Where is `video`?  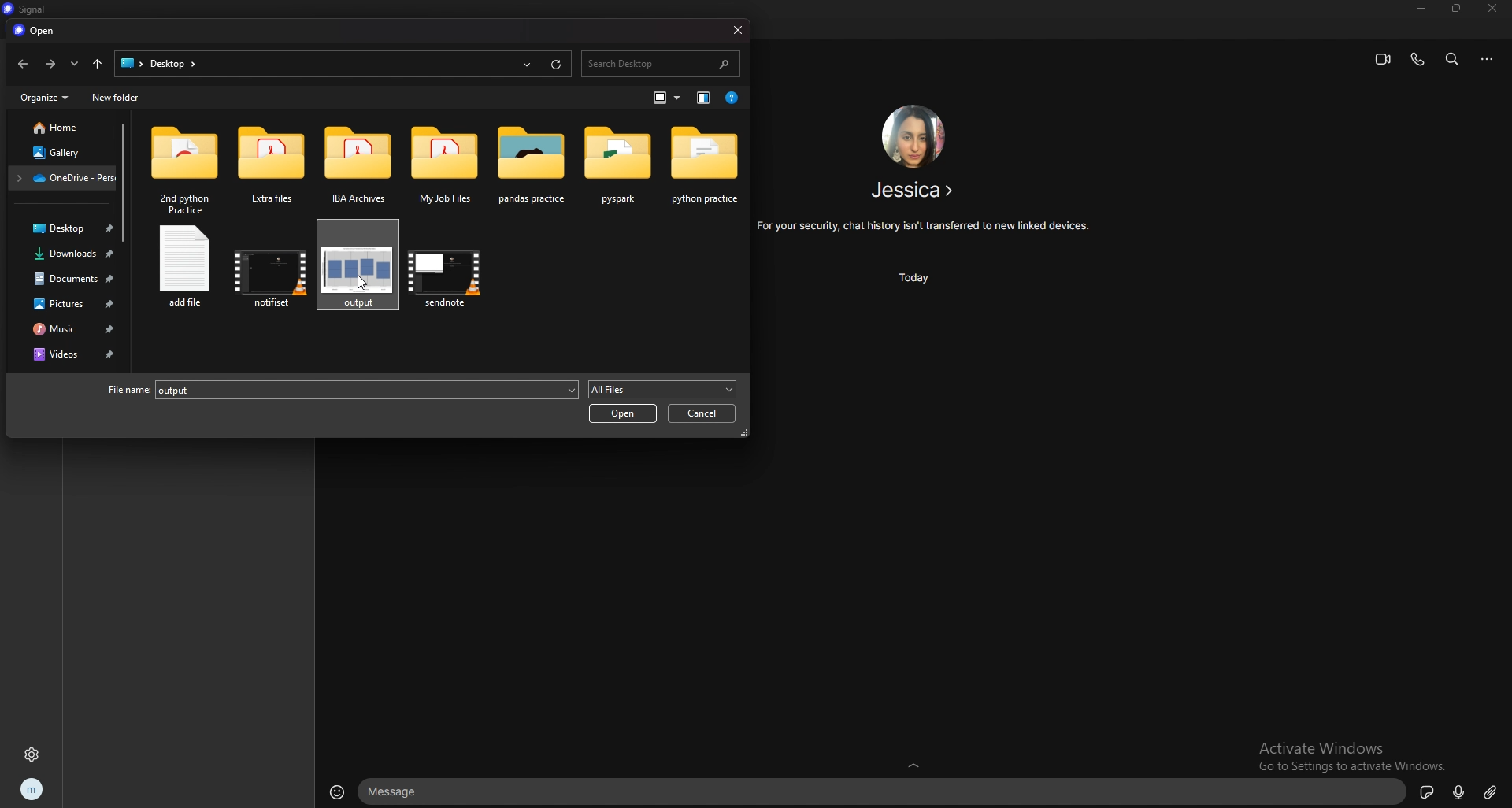 video is located at coordinates (449, 275).